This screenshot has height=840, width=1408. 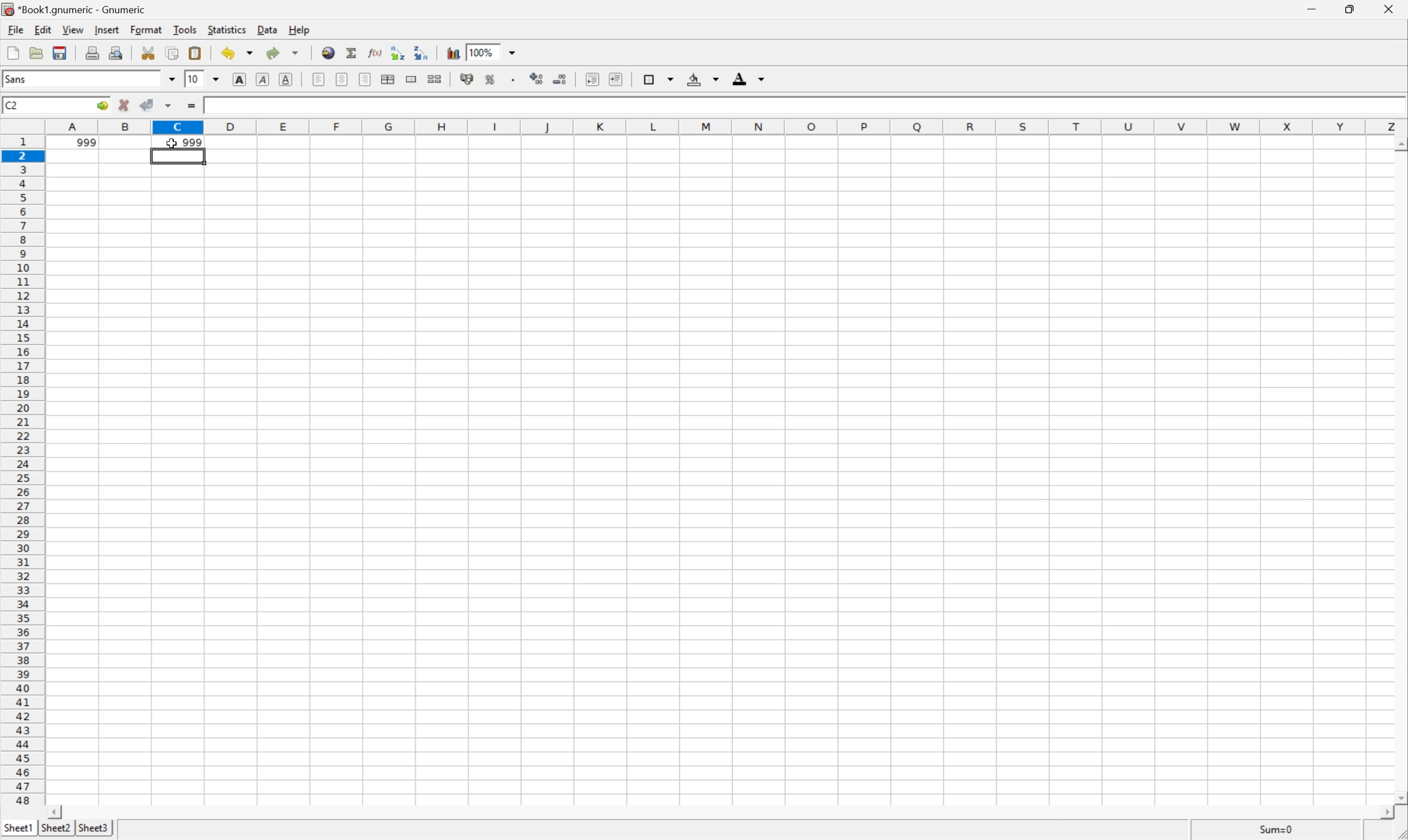 I want to click on split merged ranges of cells, so click(x=436, y=79).